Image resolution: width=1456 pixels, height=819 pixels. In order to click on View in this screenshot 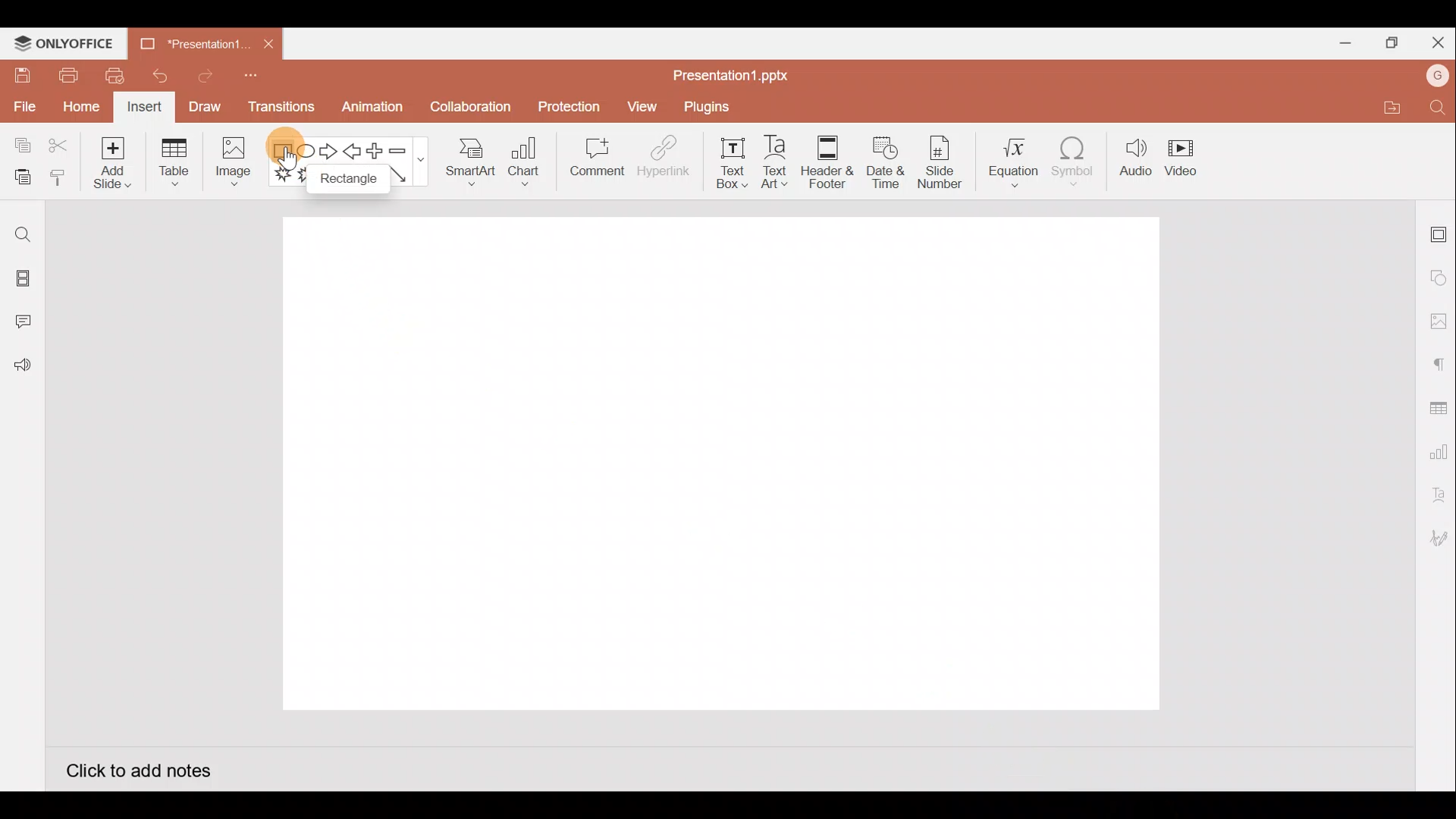, I will do `click(645, 103)`.